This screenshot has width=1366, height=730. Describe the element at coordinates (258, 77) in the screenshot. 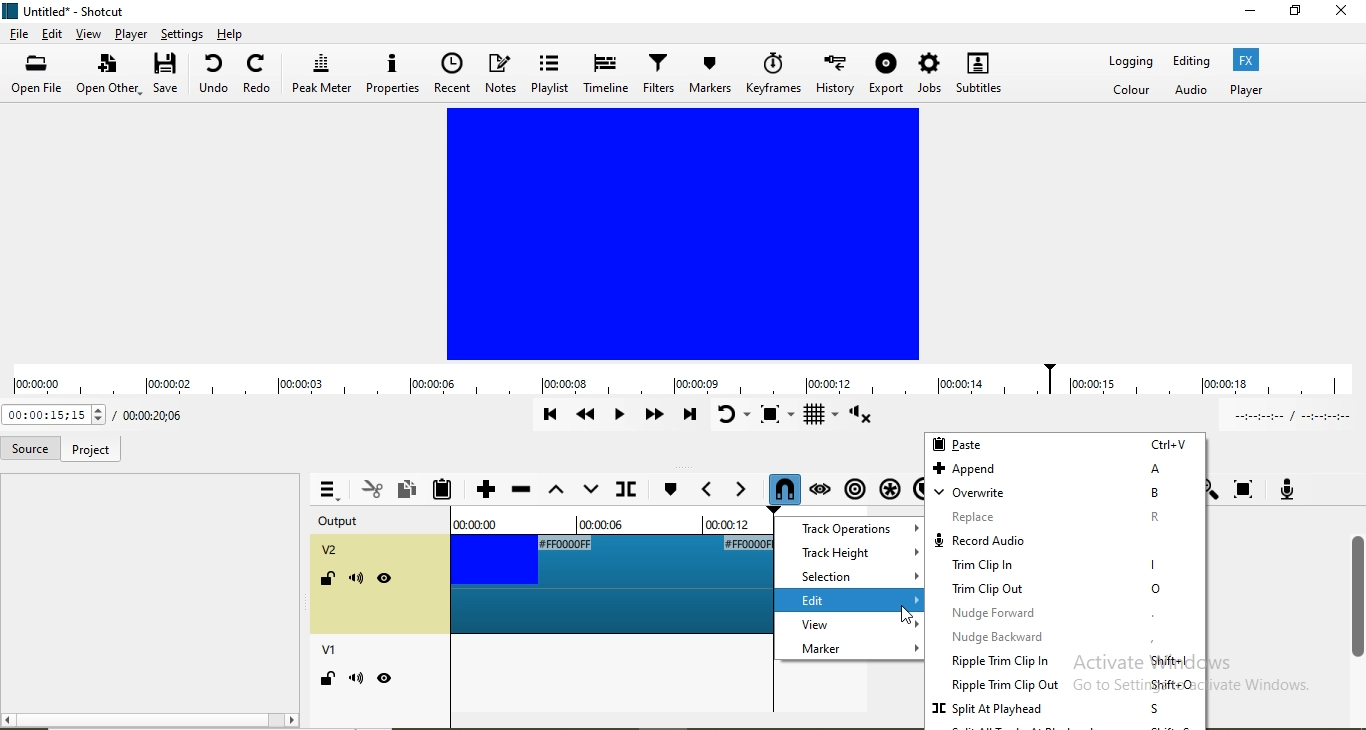

I see `redo` at that location.